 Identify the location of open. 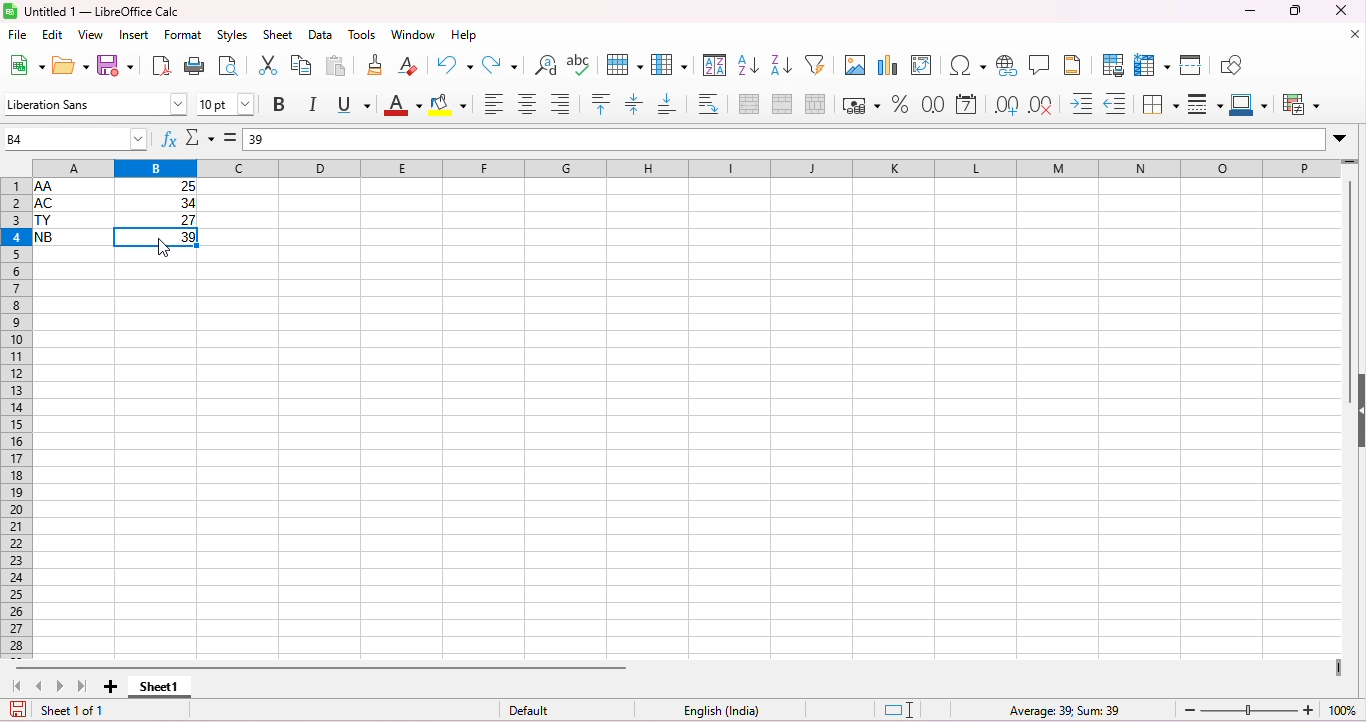
(73, 64).